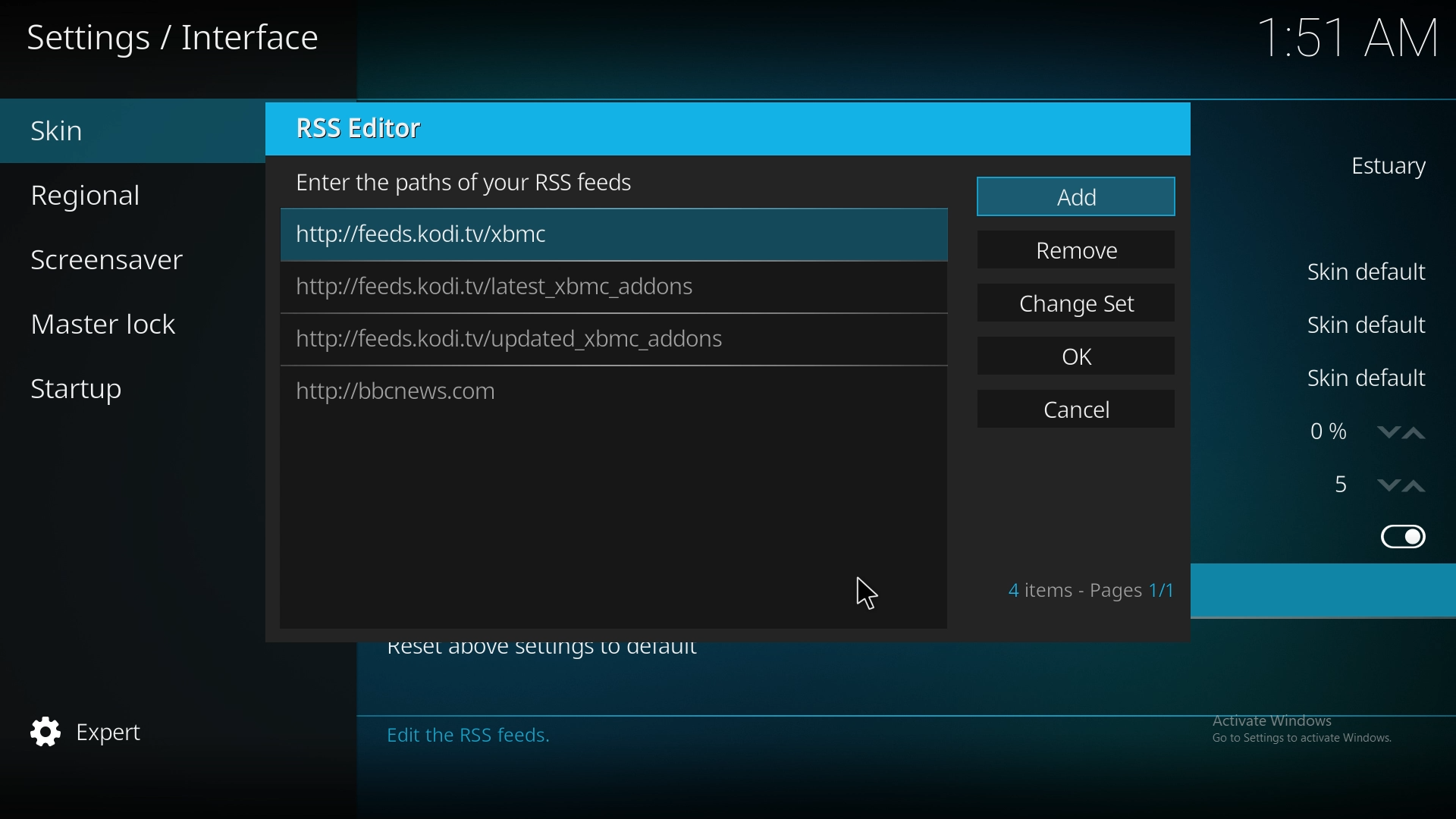 The width and height of the screenshot is (1456, 819). I want to click on Cursor, so click(871, 593).